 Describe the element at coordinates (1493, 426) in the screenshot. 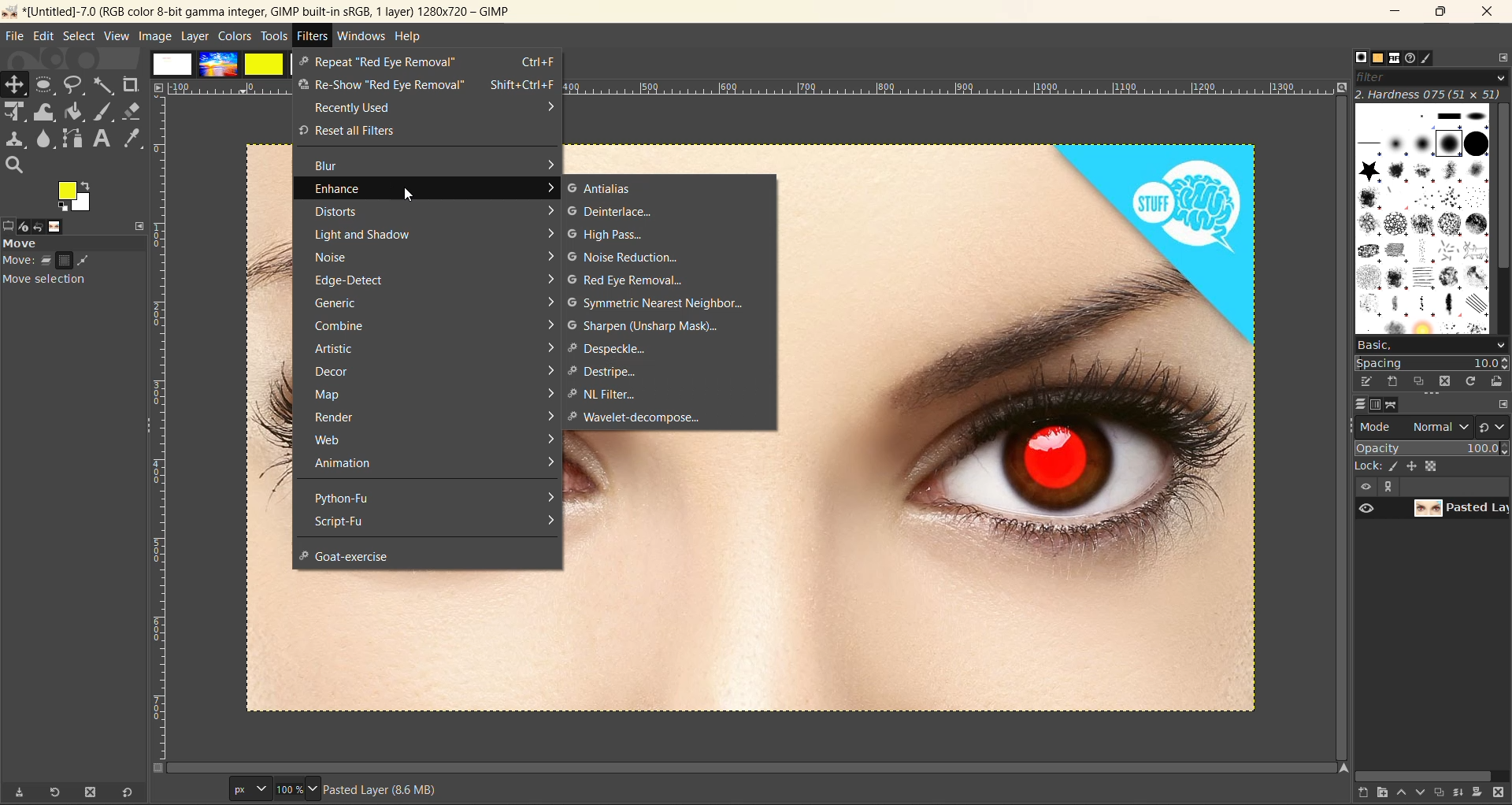

I see `switch to another group` at that location.